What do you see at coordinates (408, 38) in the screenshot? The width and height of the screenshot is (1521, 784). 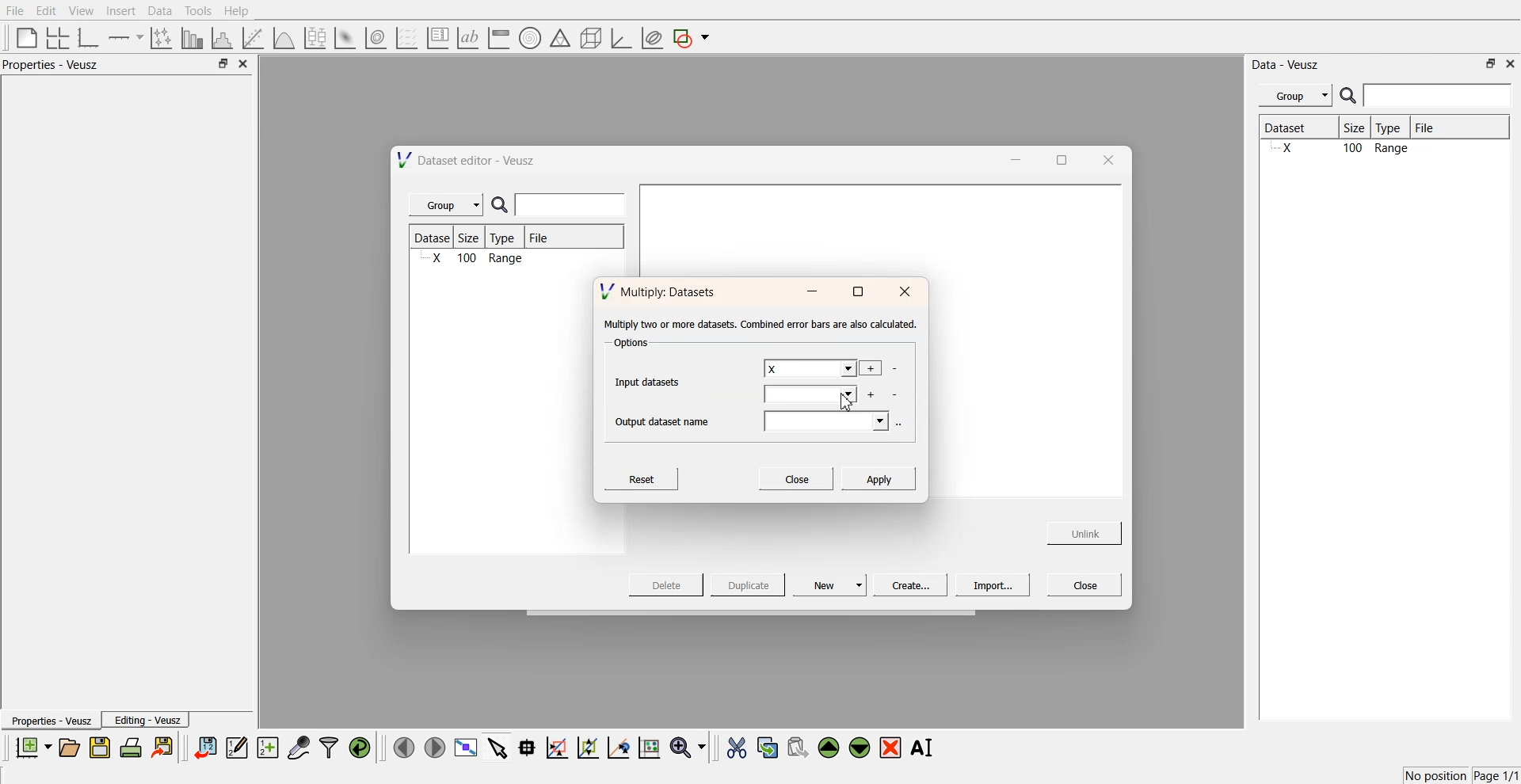 I see `plot a vector set` at bounding box center [408, 38].